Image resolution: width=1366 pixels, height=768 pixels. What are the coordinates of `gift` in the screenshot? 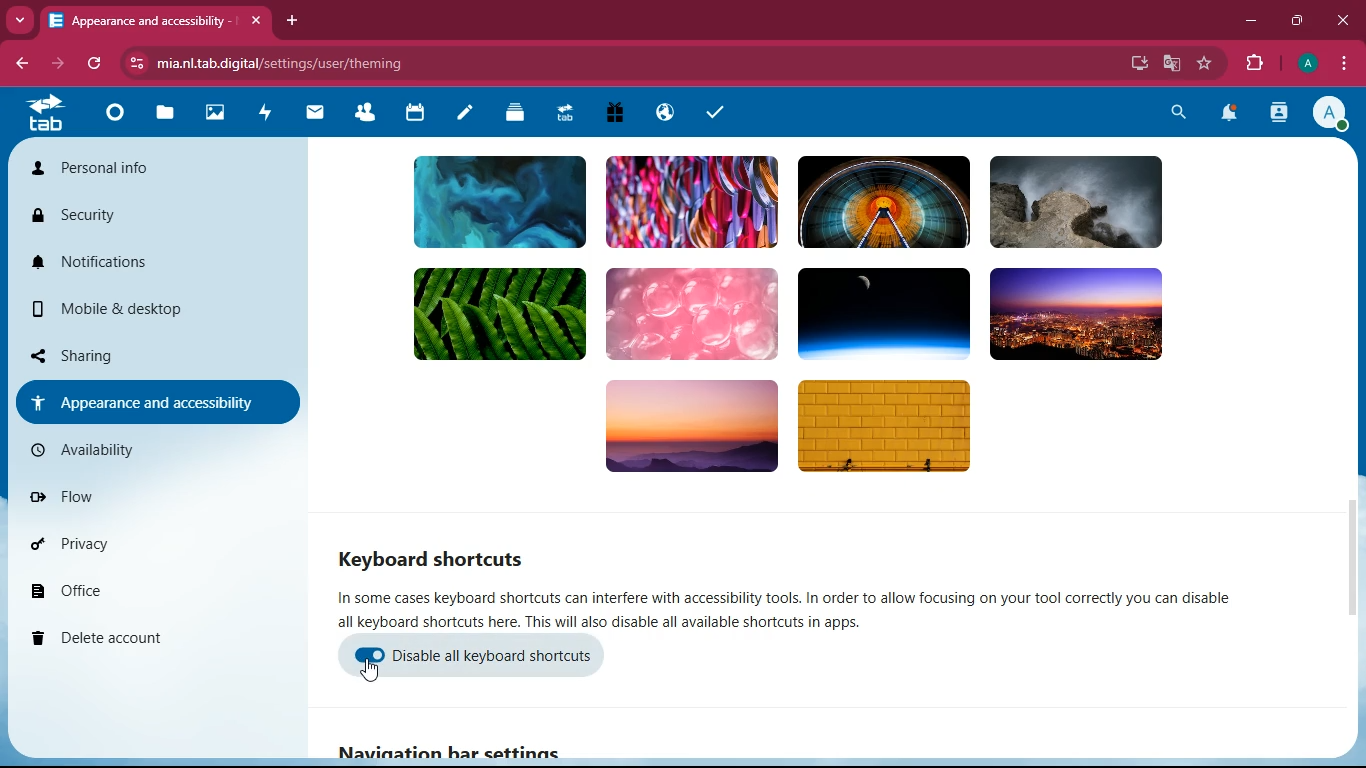 It's located at (616, 112).